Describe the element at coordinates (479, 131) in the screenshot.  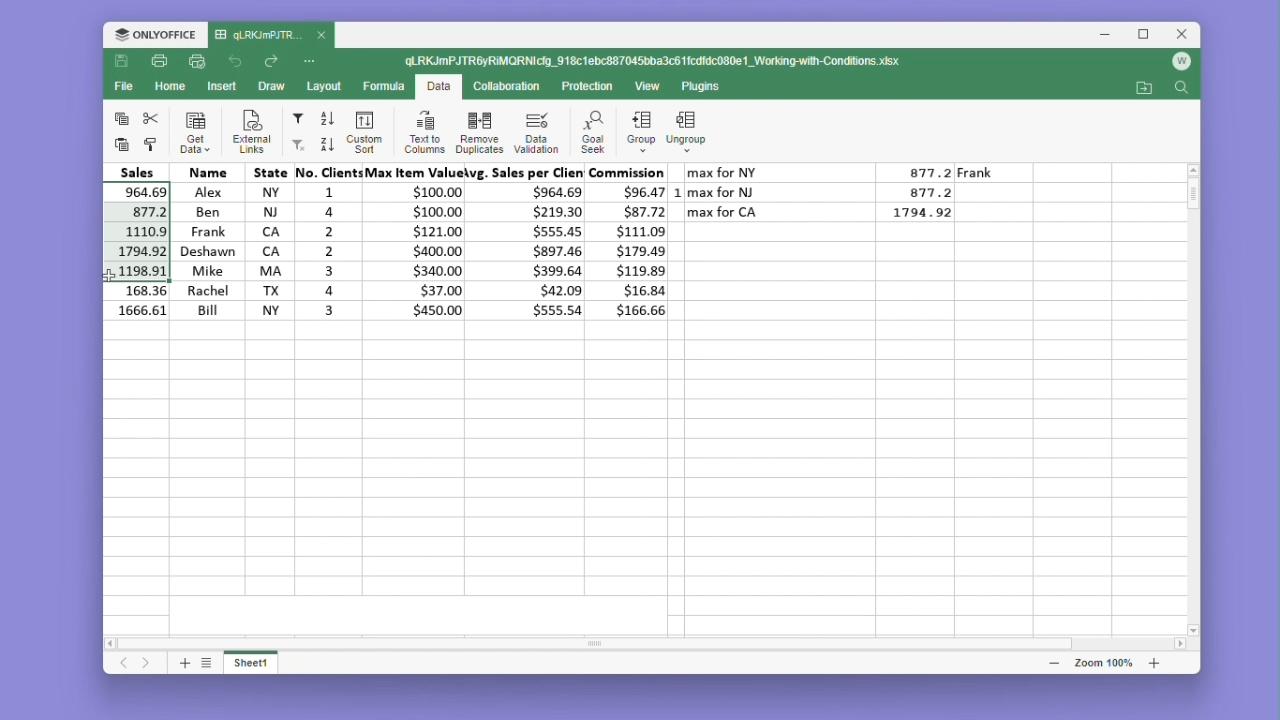
I see `Remove duplicates` at that location.